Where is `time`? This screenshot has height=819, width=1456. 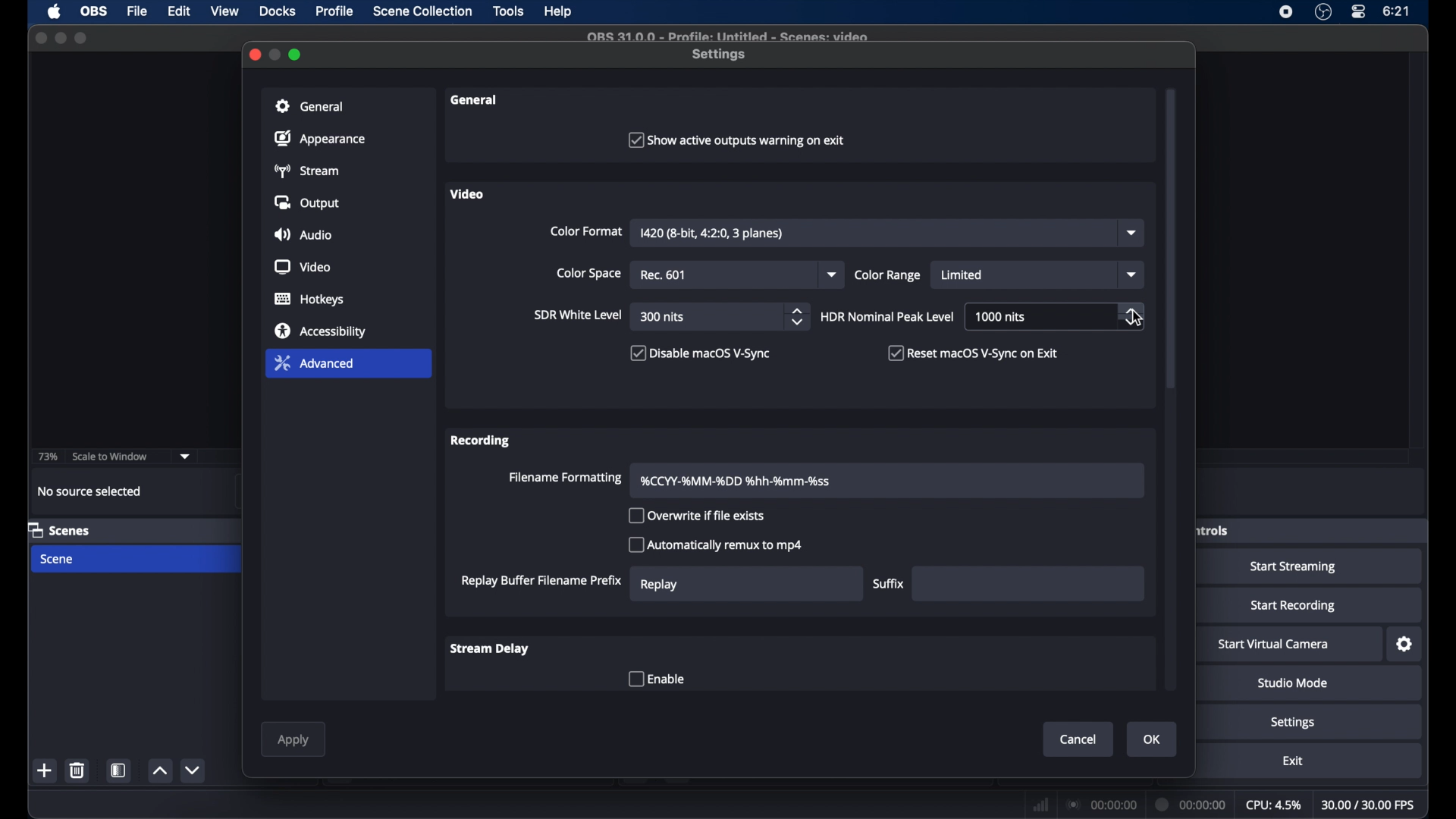
time is located at coordinates (1397, 11).